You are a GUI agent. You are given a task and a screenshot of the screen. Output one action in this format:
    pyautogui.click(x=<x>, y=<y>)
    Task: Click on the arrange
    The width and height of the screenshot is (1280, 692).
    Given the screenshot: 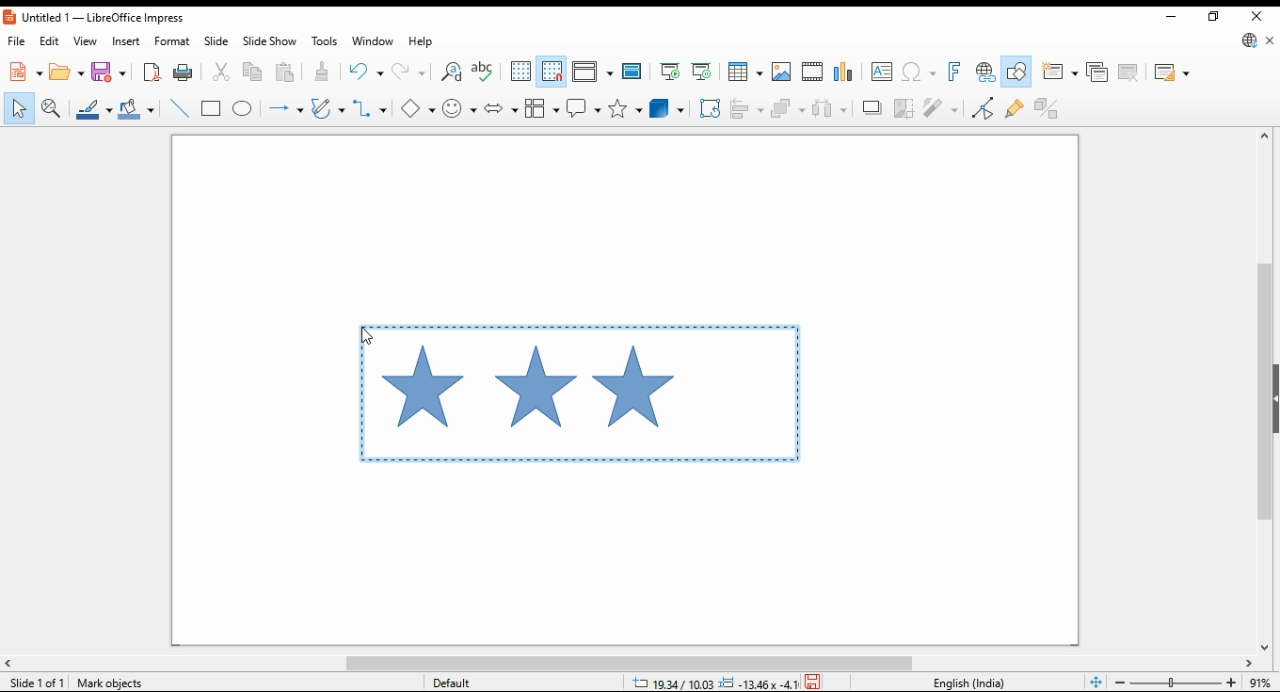 What is the action you would take?
    pyautogui.click(x=789, y=108)
    